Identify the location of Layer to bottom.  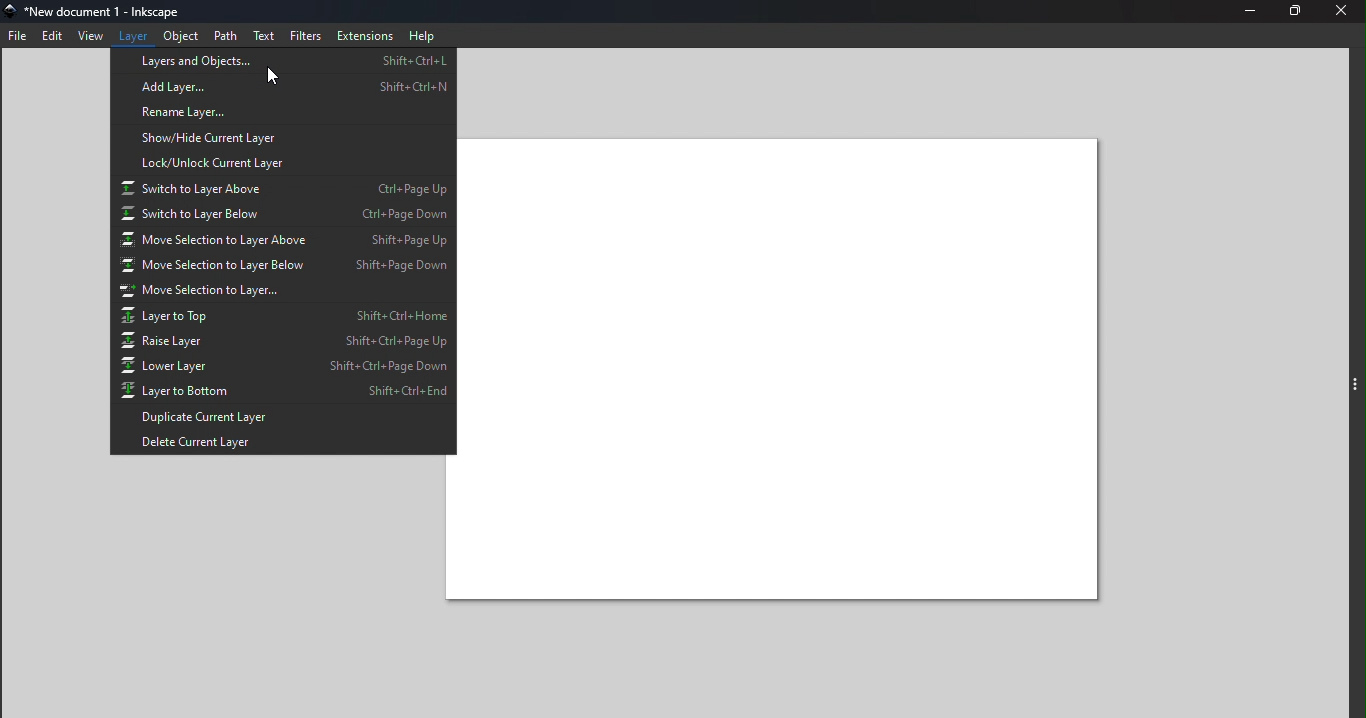
(283, 393).